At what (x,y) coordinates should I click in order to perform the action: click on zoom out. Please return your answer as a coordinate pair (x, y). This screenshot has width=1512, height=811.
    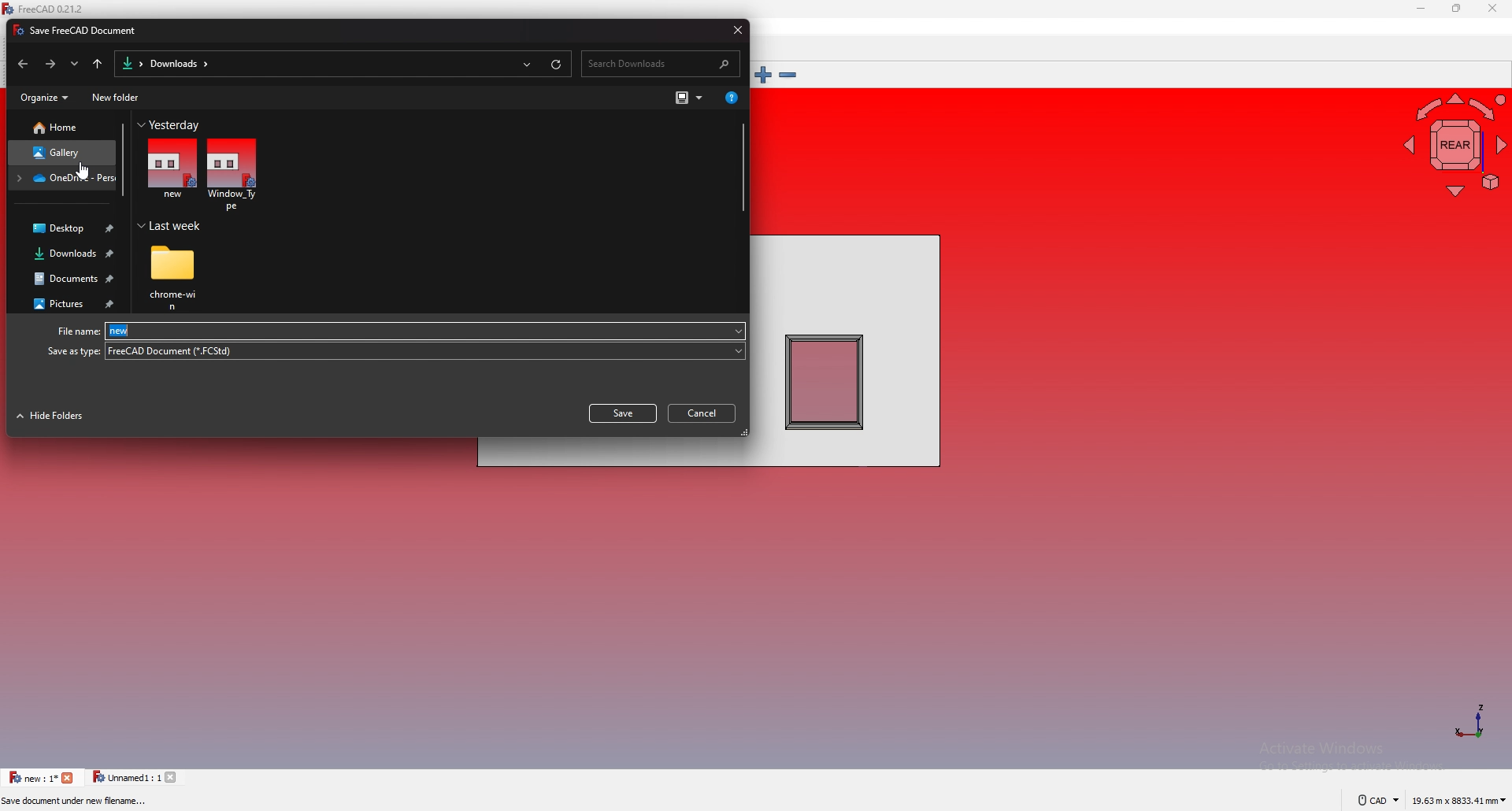
    Looking at the image, I should click on (788, 75).